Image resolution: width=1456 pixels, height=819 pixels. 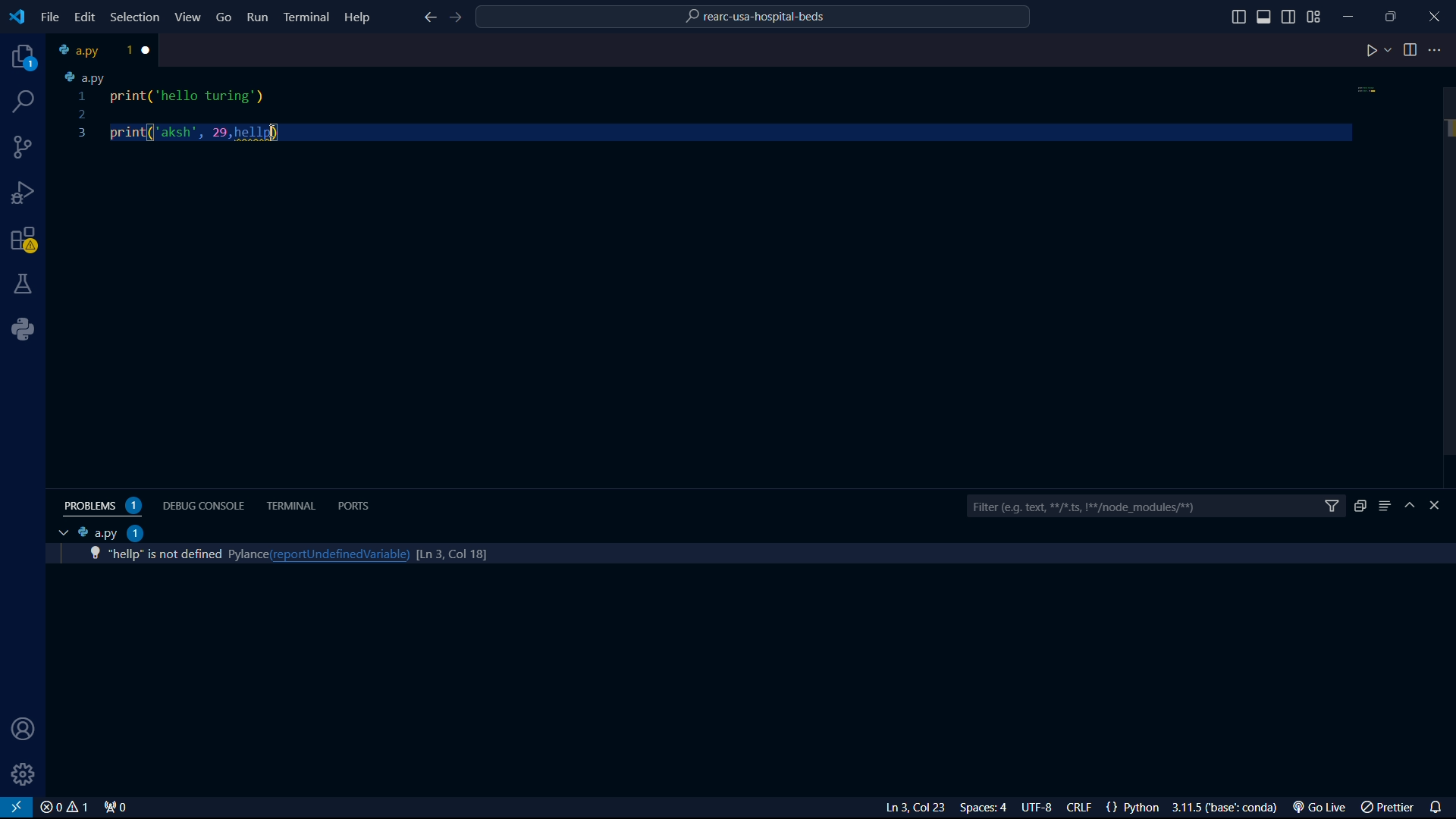 I want to click on bug, so click(x=27, y=190).